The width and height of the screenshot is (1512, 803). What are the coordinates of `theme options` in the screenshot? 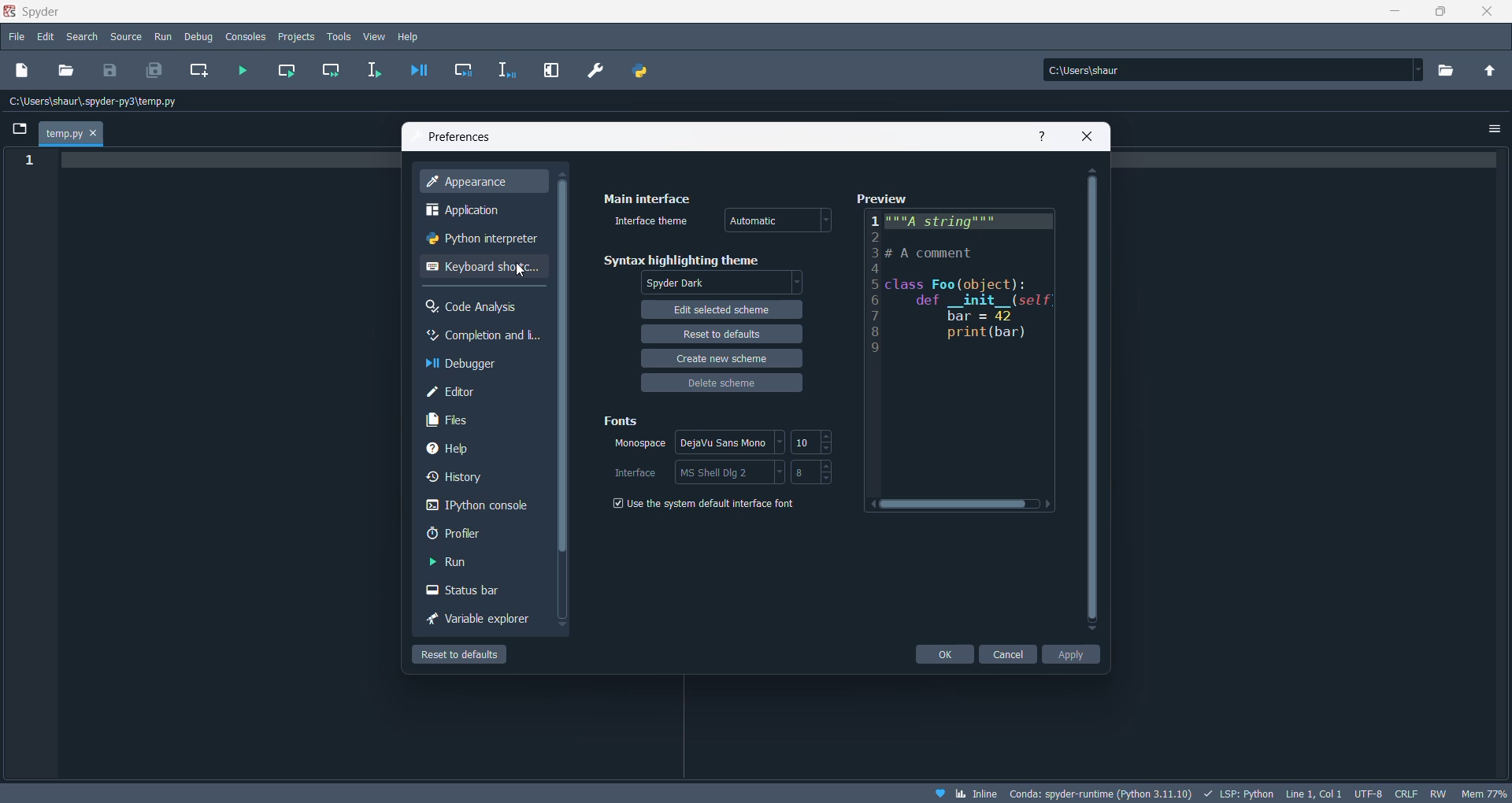 It's located at (721, 282).